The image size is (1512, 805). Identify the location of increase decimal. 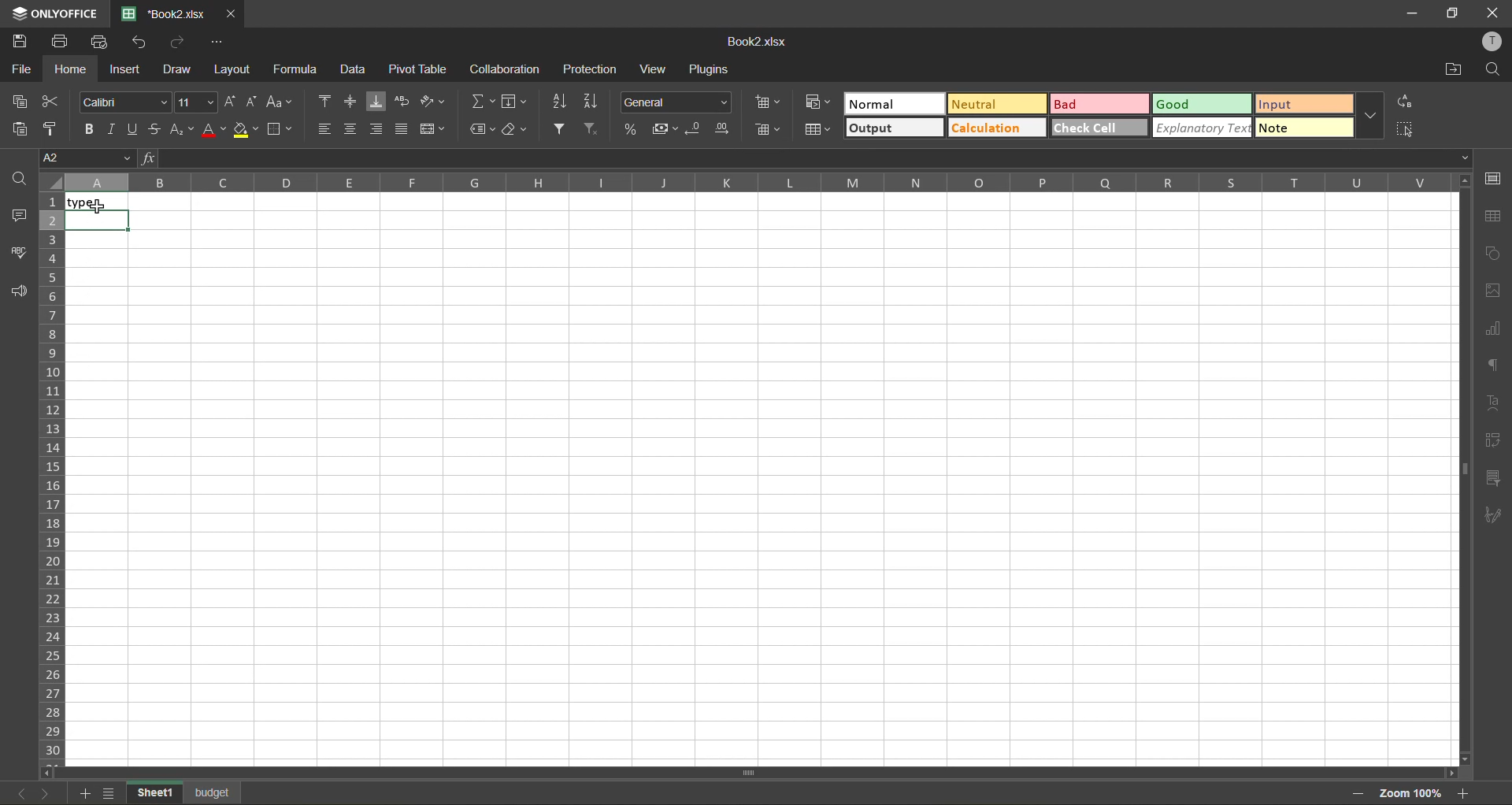
(724, 130).